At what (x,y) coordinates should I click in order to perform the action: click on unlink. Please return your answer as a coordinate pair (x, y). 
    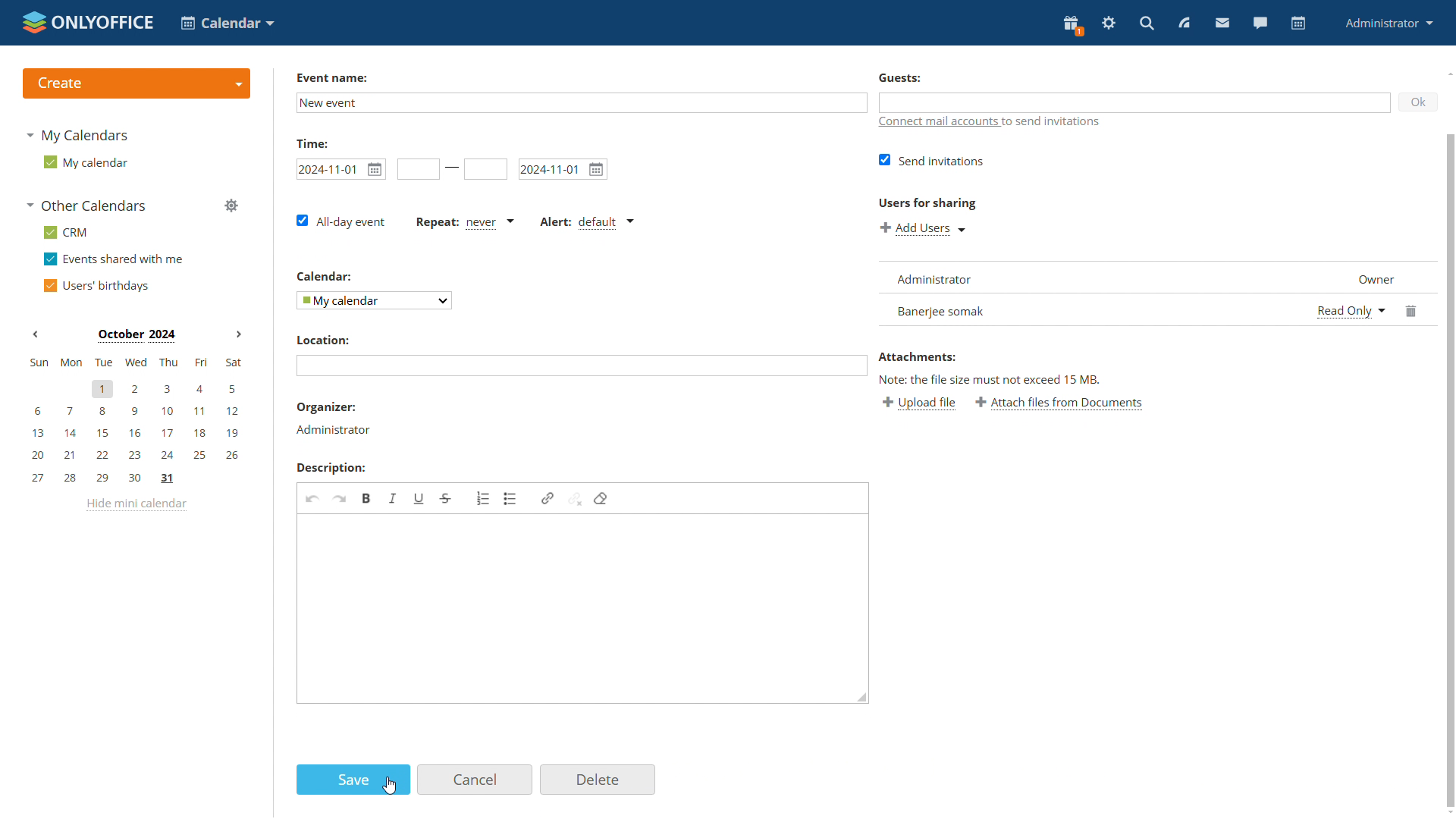
    Looking at the image, I should click on (576, 498).